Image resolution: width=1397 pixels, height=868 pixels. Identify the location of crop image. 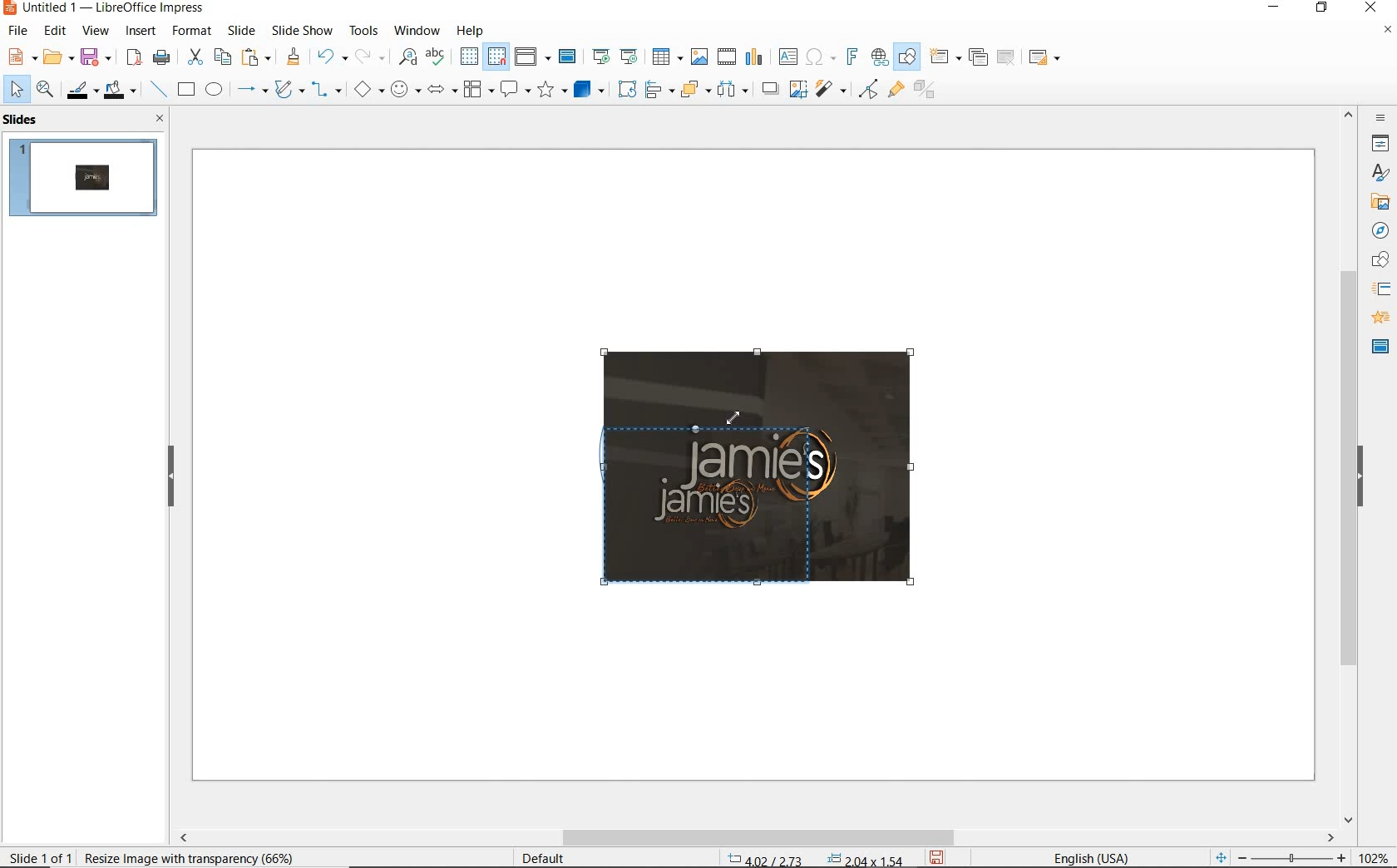
(797, 87).